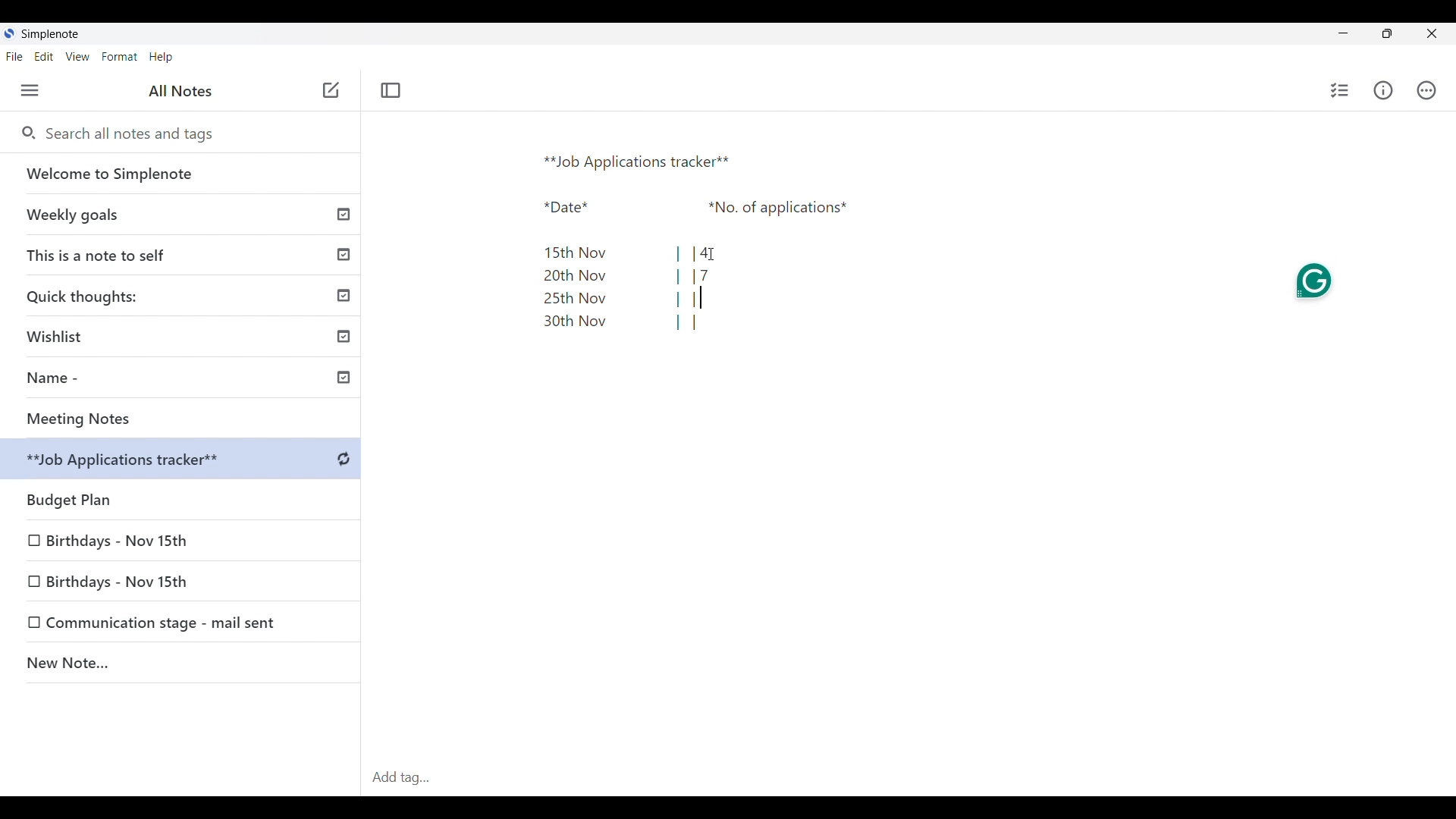  Describe the element at coordinates (119, 538) in the screenshot. I see `Birthdays - Nov 15th` at that location.